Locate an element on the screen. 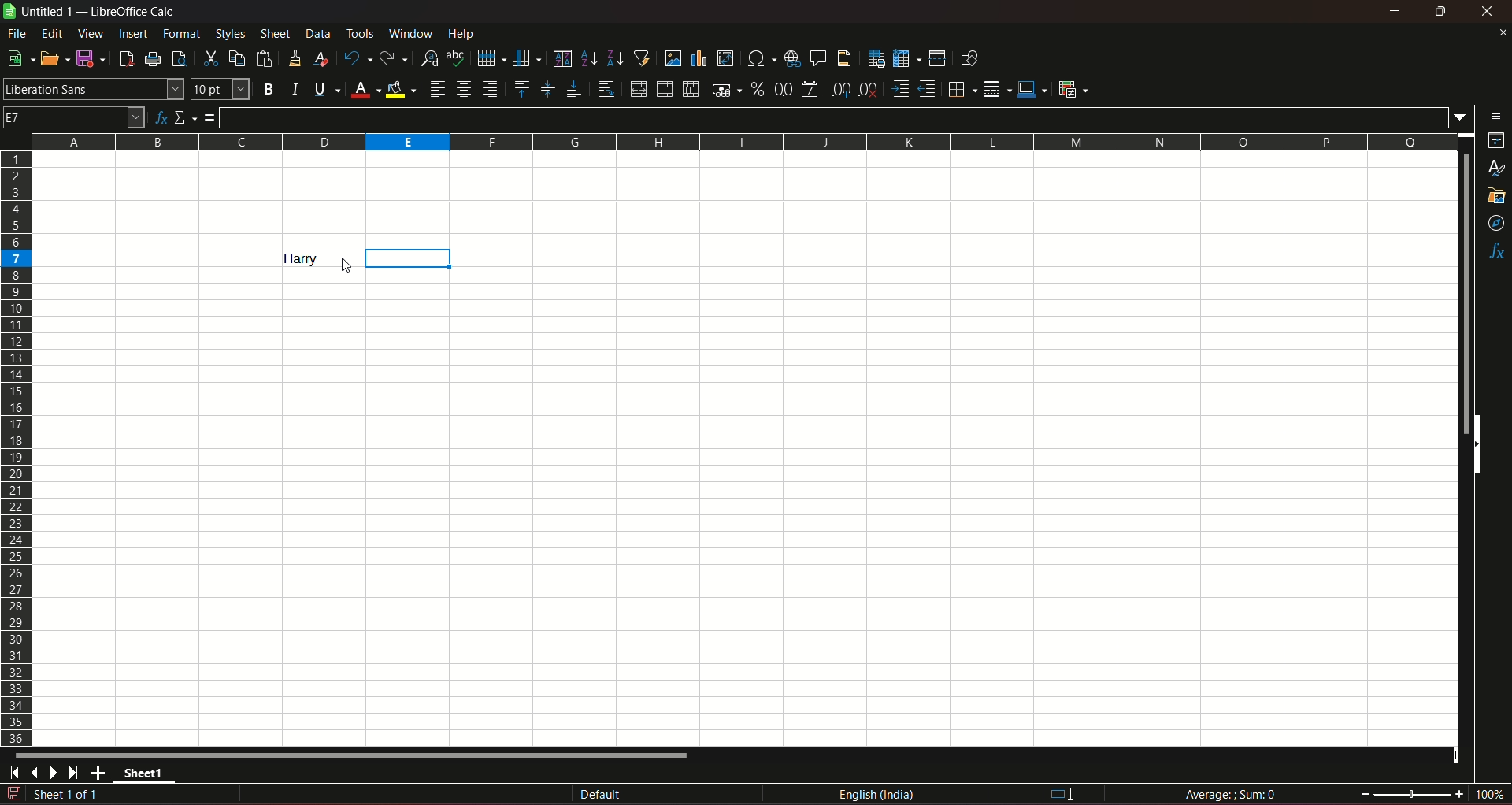  export directly as PDF is located at coordinates (125, 57).